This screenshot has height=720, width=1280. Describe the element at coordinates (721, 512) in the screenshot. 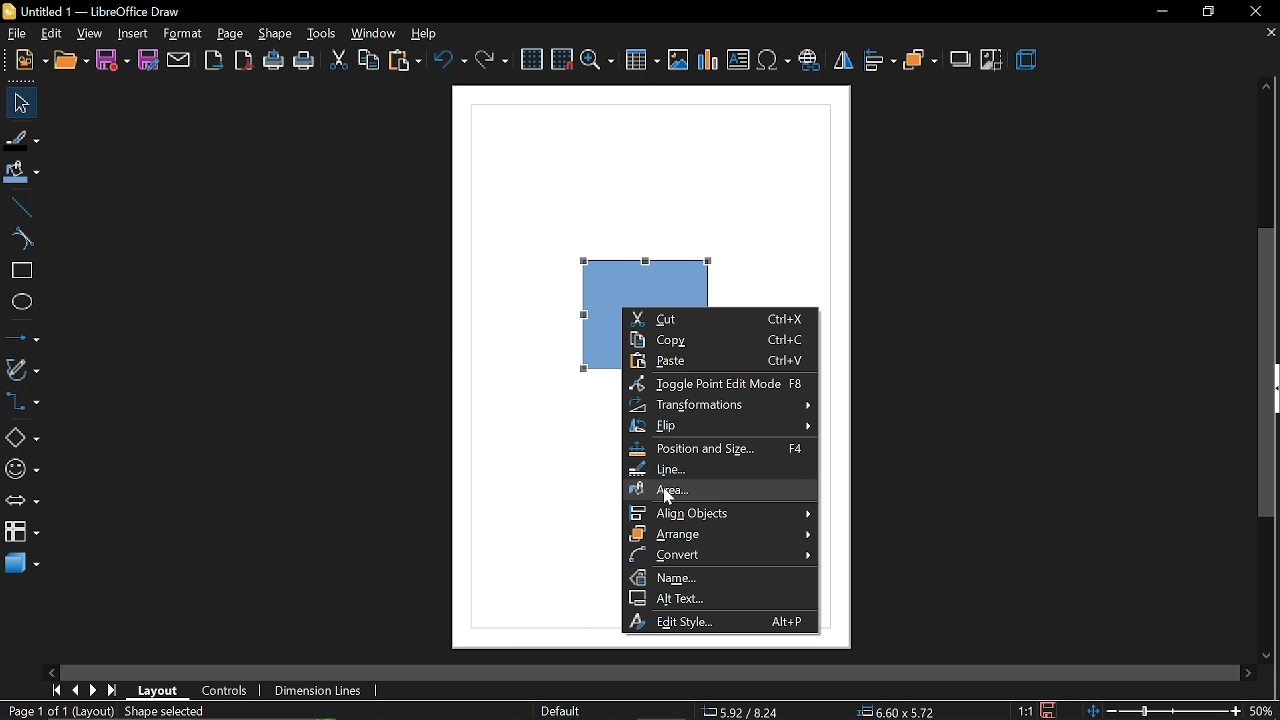

I see `align objects` at that location.